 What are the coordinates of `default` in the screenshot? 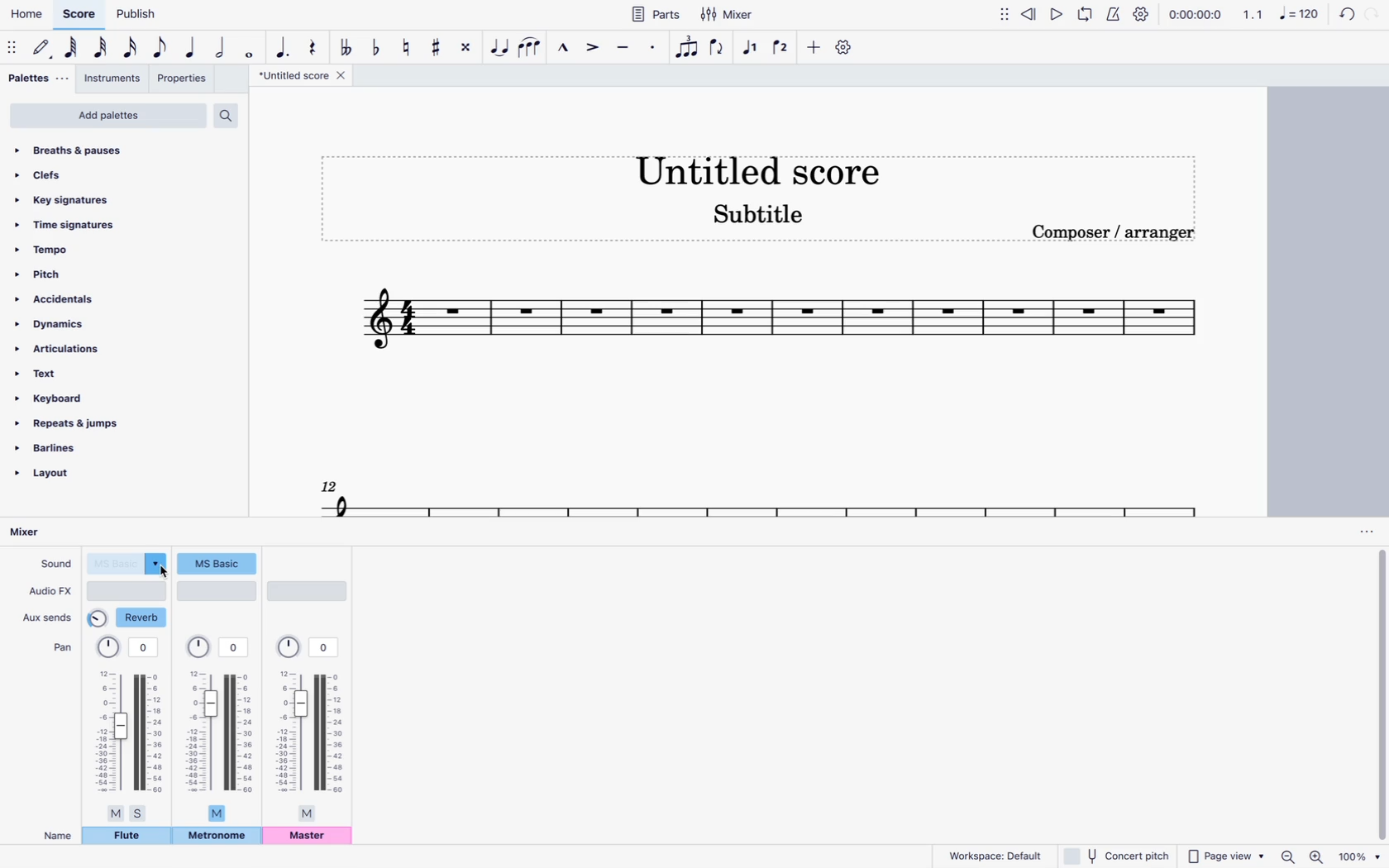 It's located at (43, 48).